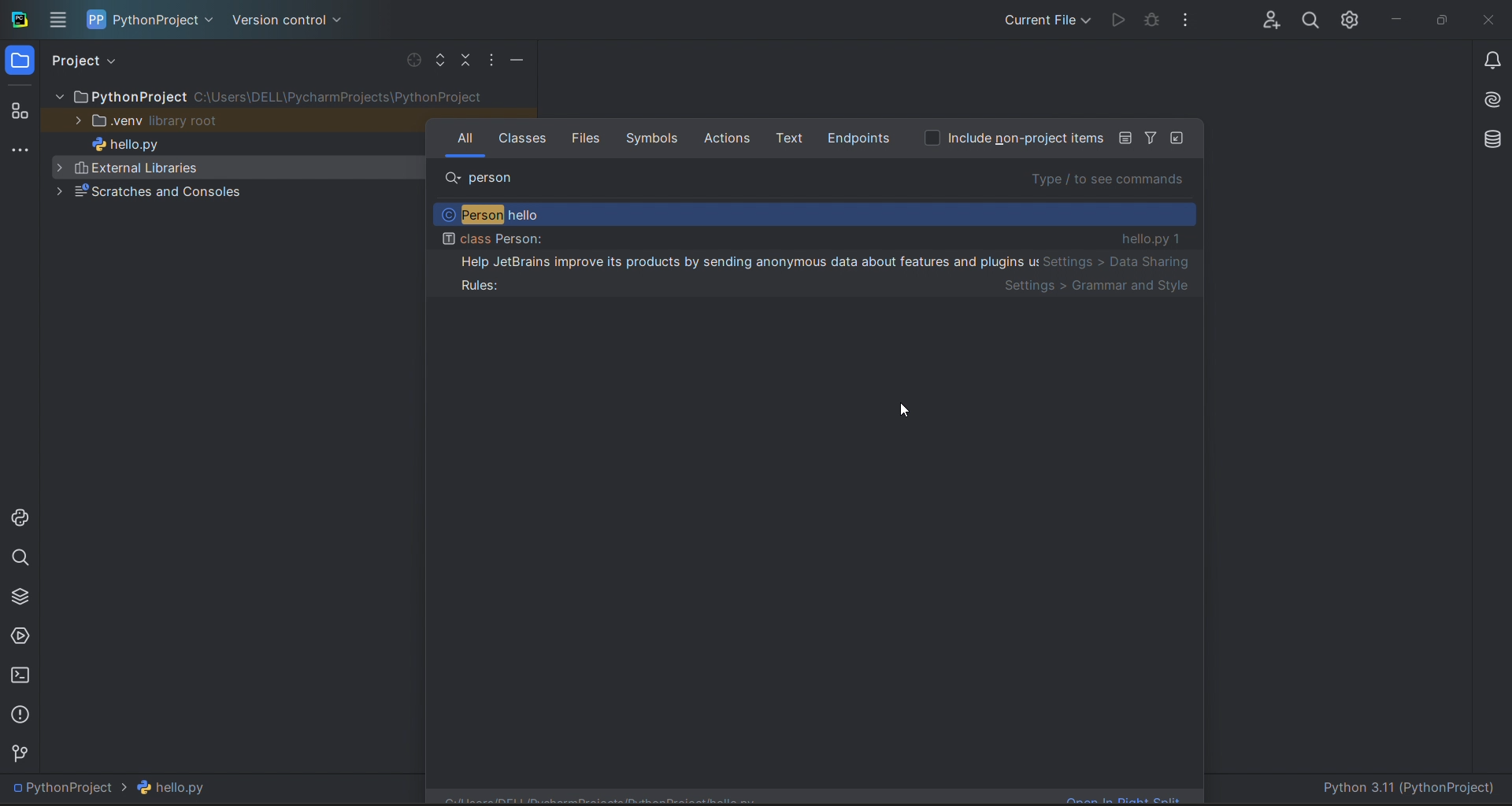 The width and height of the screenshot is (1512, 806). What do you see at coordinates (1178, 137) in the screenshot?
I see `icon` at bounding box center [1178, 137].